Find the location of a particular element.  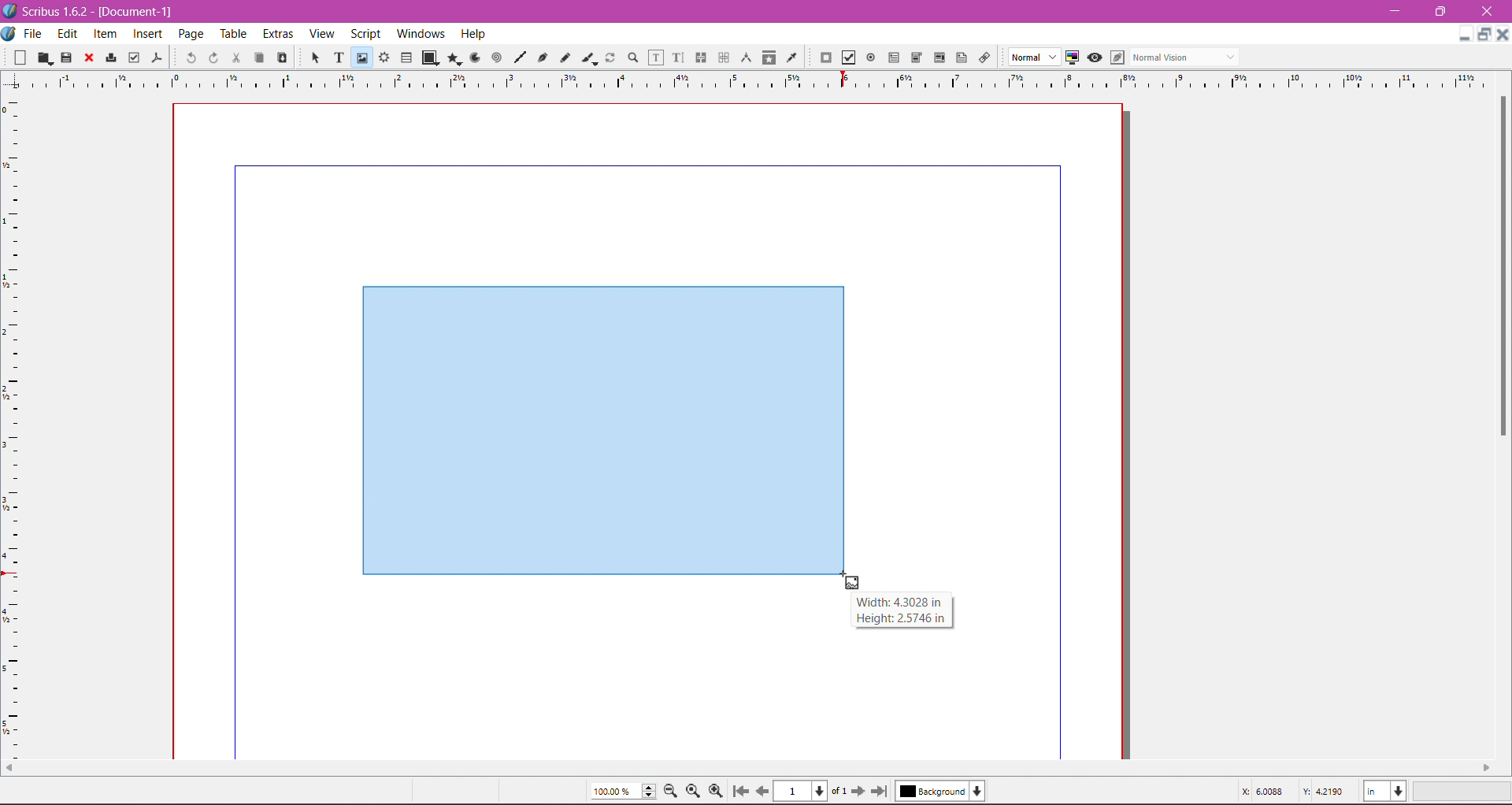

Select the current layer is located at coordinates (940, 791).